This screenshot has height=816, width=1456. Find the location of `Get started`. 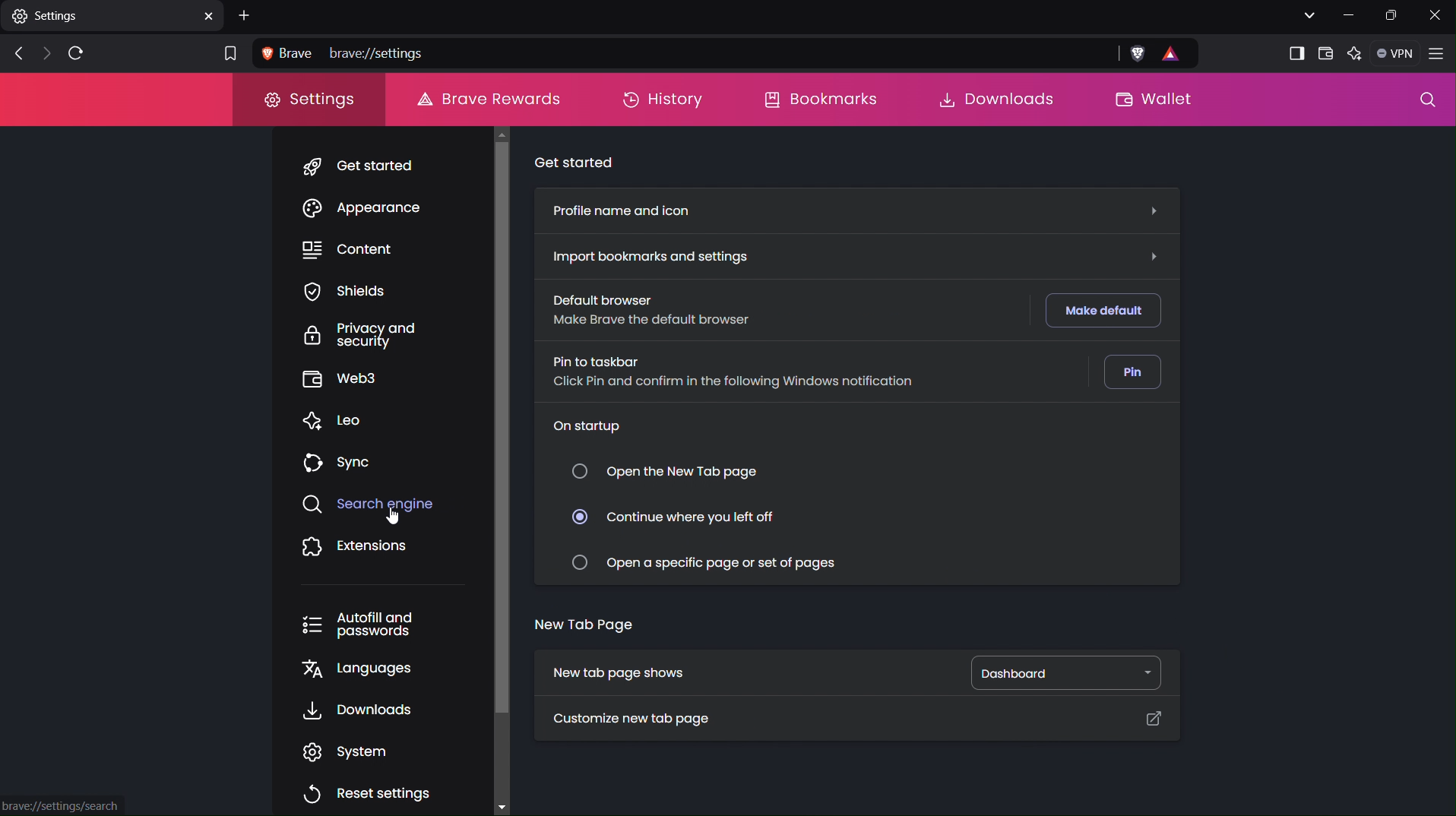

Get started is located at coordinates (579, 162).